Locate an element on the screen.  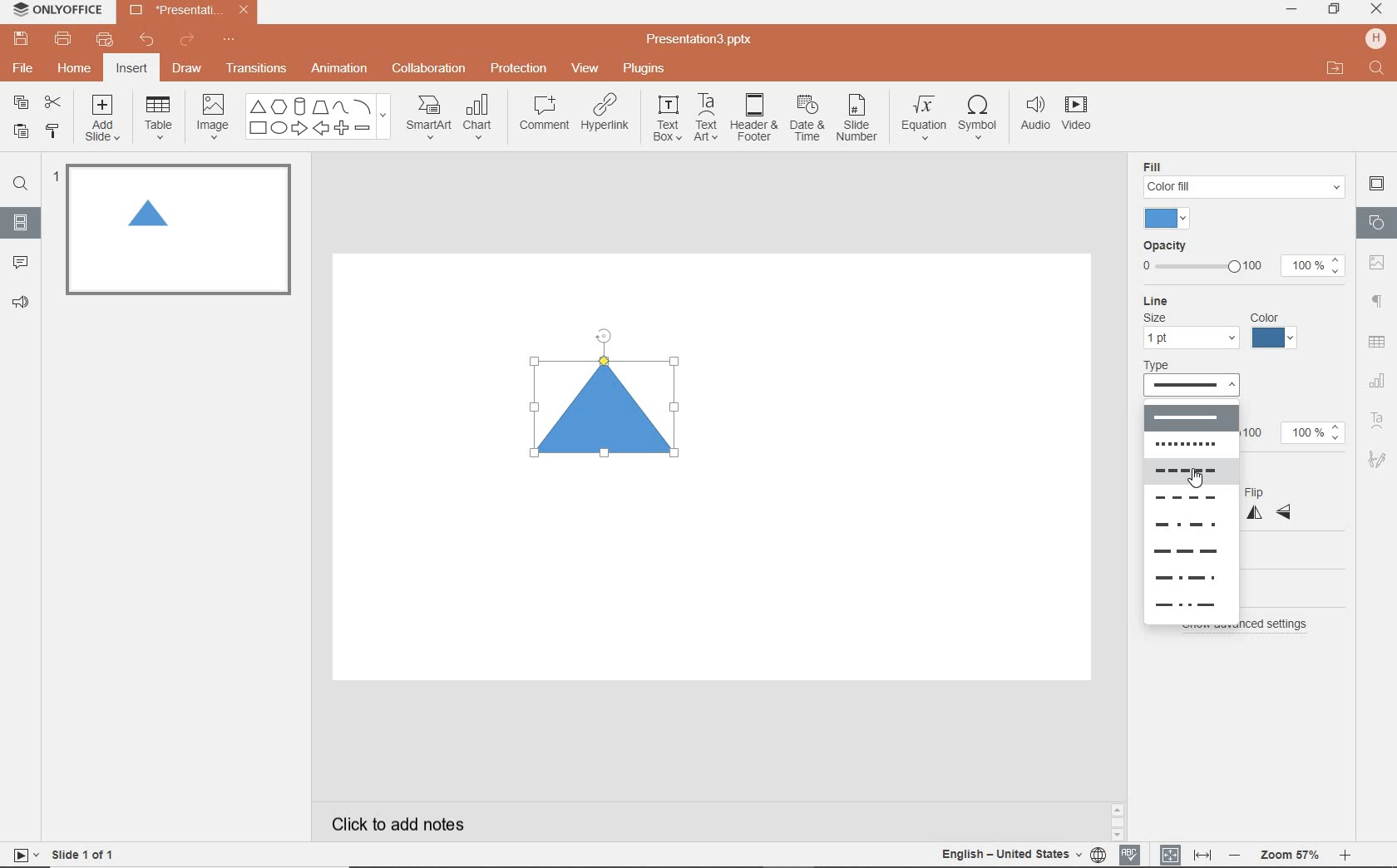
slide 1 is located at coordinates (175, 229).